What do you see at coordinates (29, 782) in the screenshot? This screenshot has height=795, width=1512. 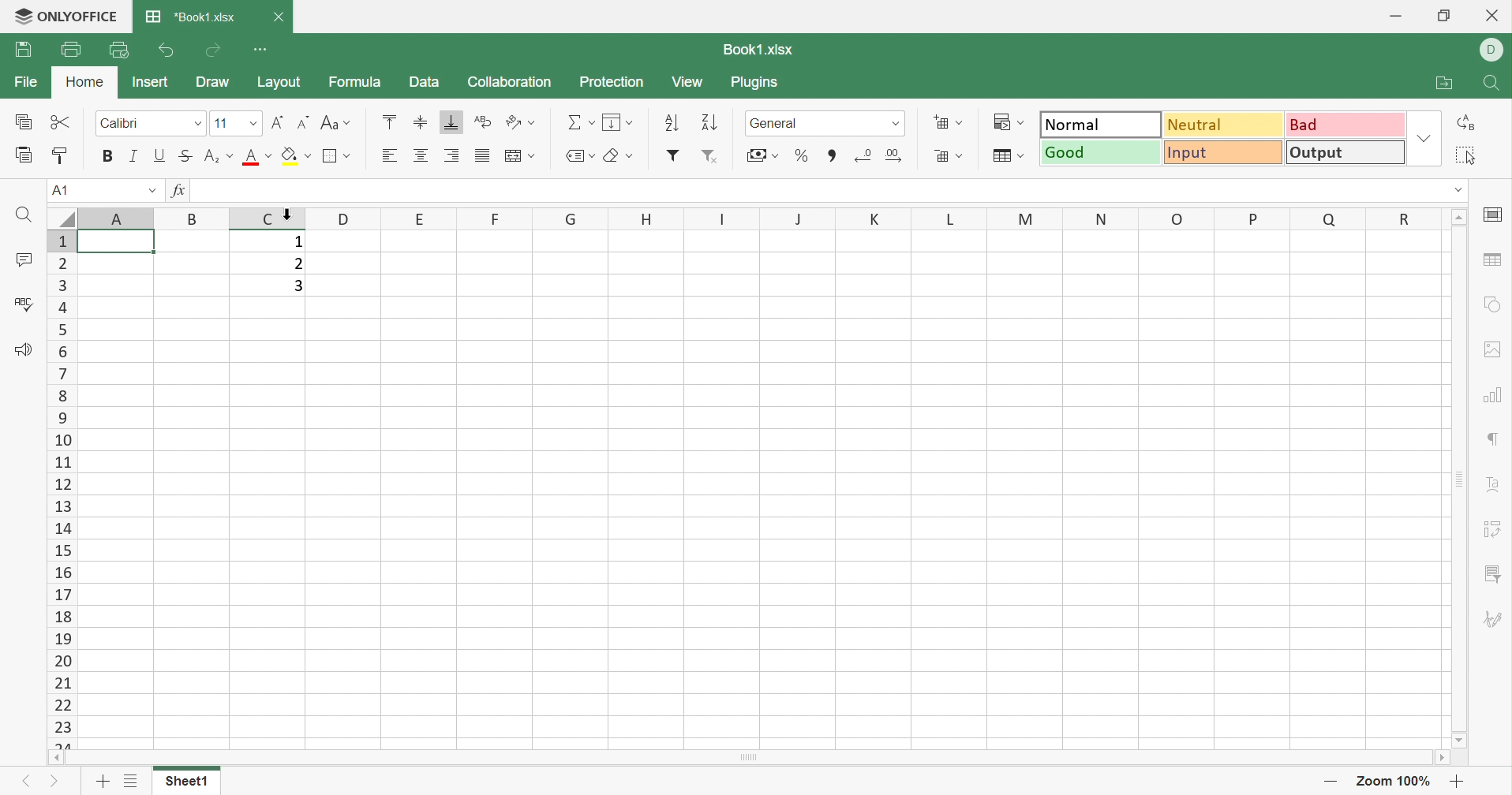 I see `Previous` at bounding box center [29, 782].